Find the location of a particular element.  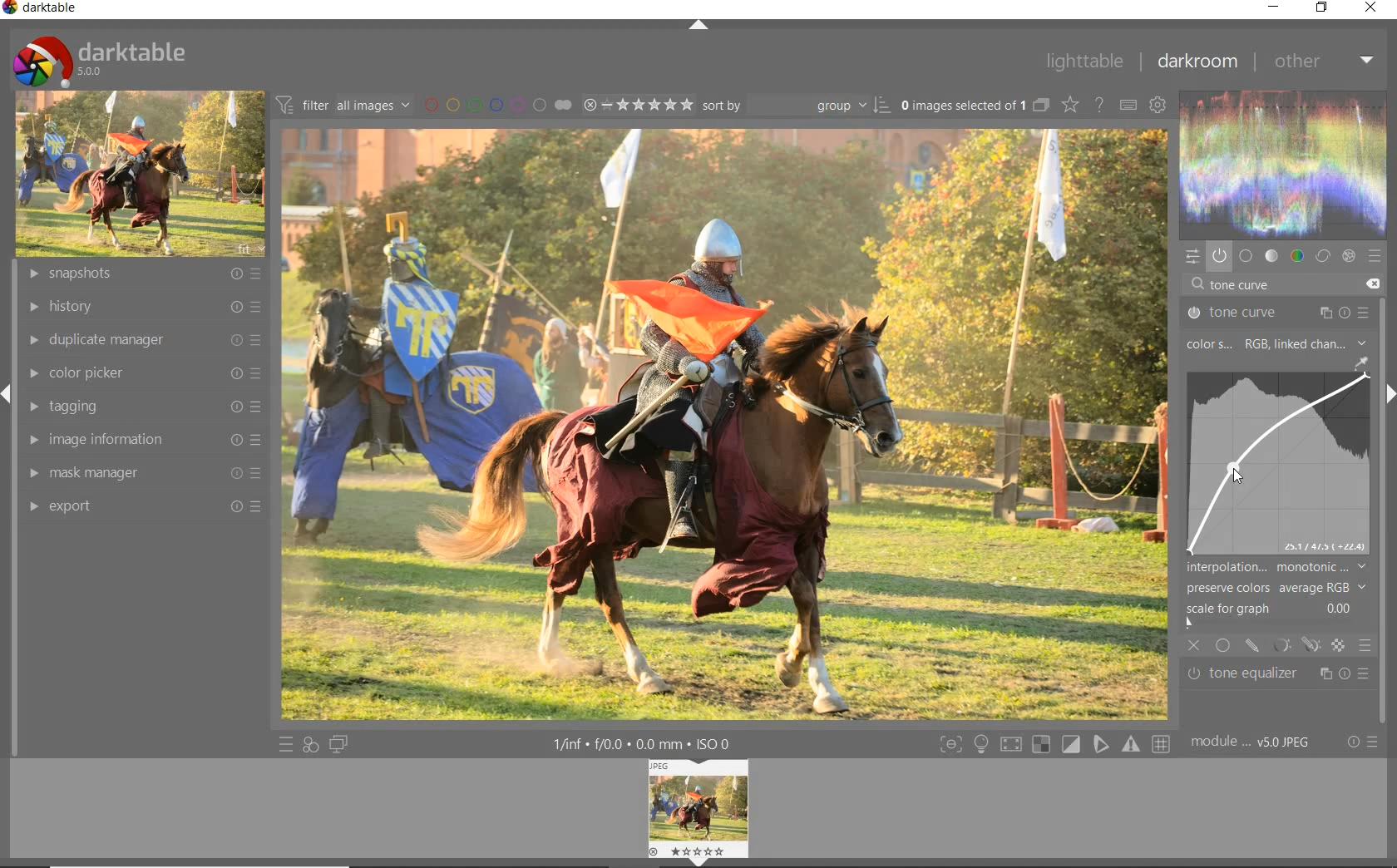

show global preferences is located at coordinates (1157, 106).